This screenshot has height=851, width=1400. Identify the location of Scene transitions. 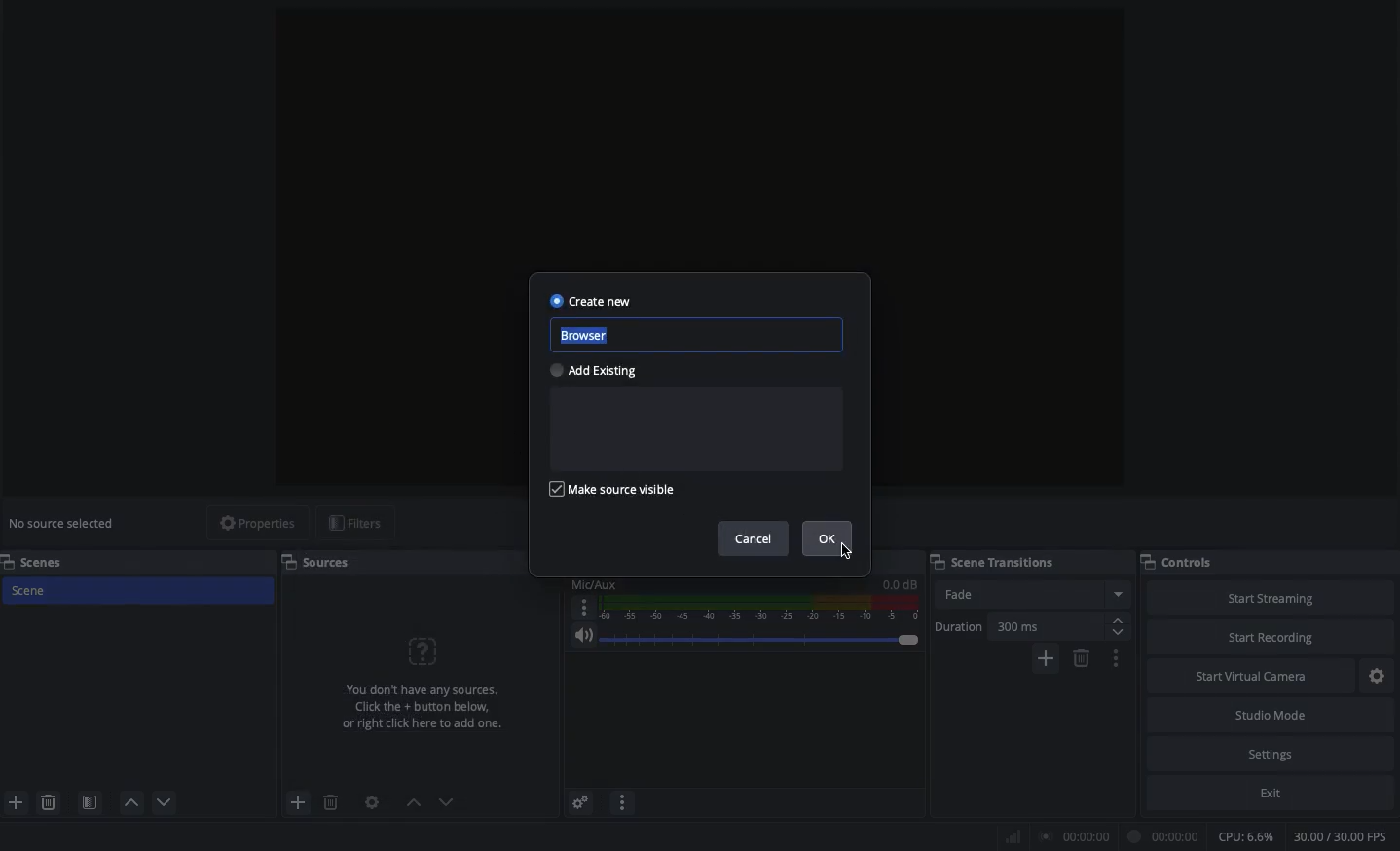
(994, 563).